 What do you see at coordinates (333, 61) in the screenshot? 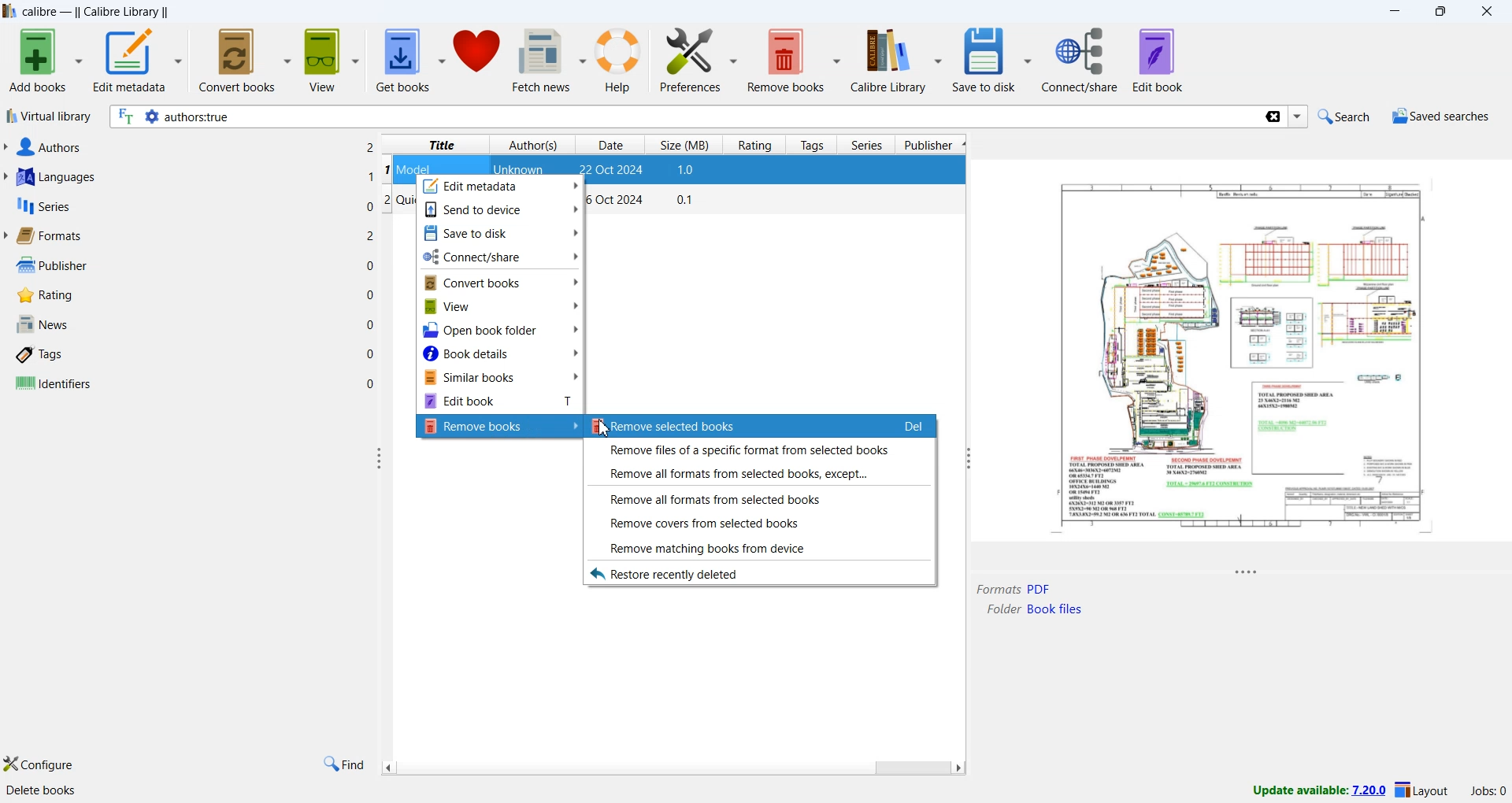
I see `view` at bounding box center [333, 61].